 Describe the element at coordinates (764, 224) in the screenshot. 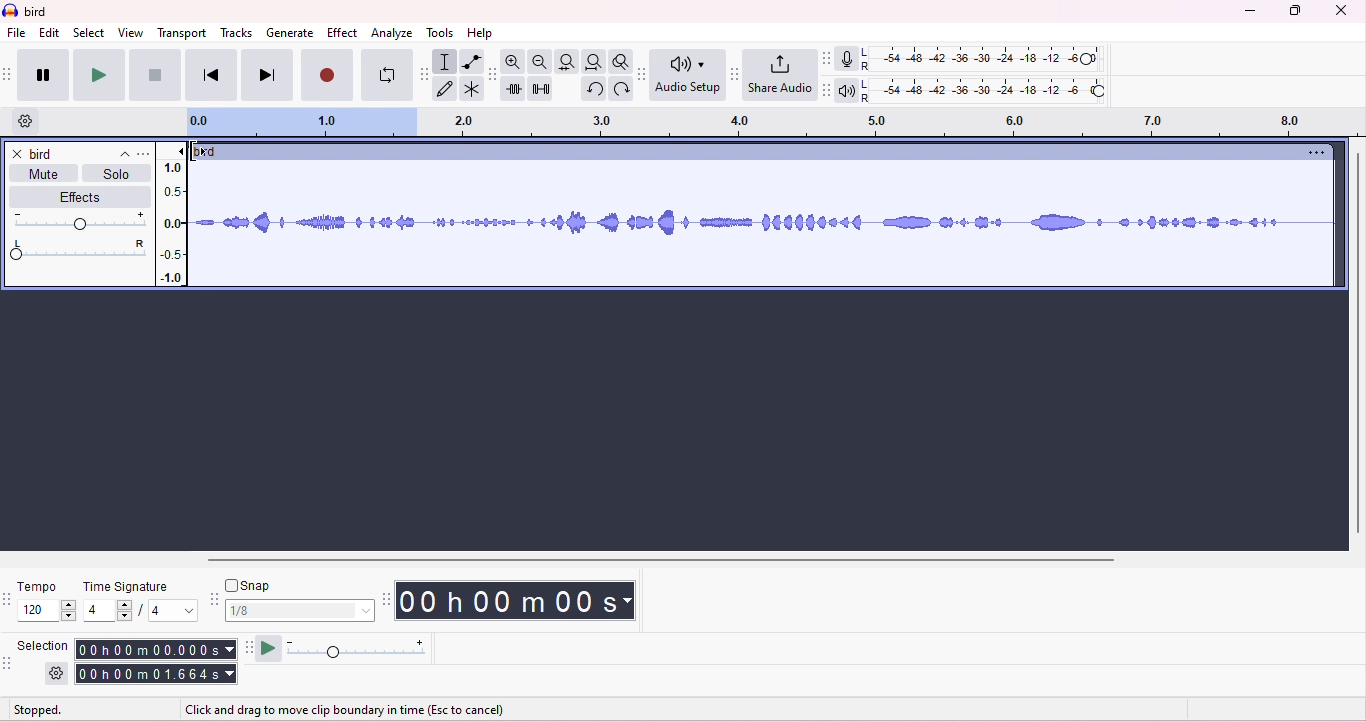

I see `waveform` at that location.